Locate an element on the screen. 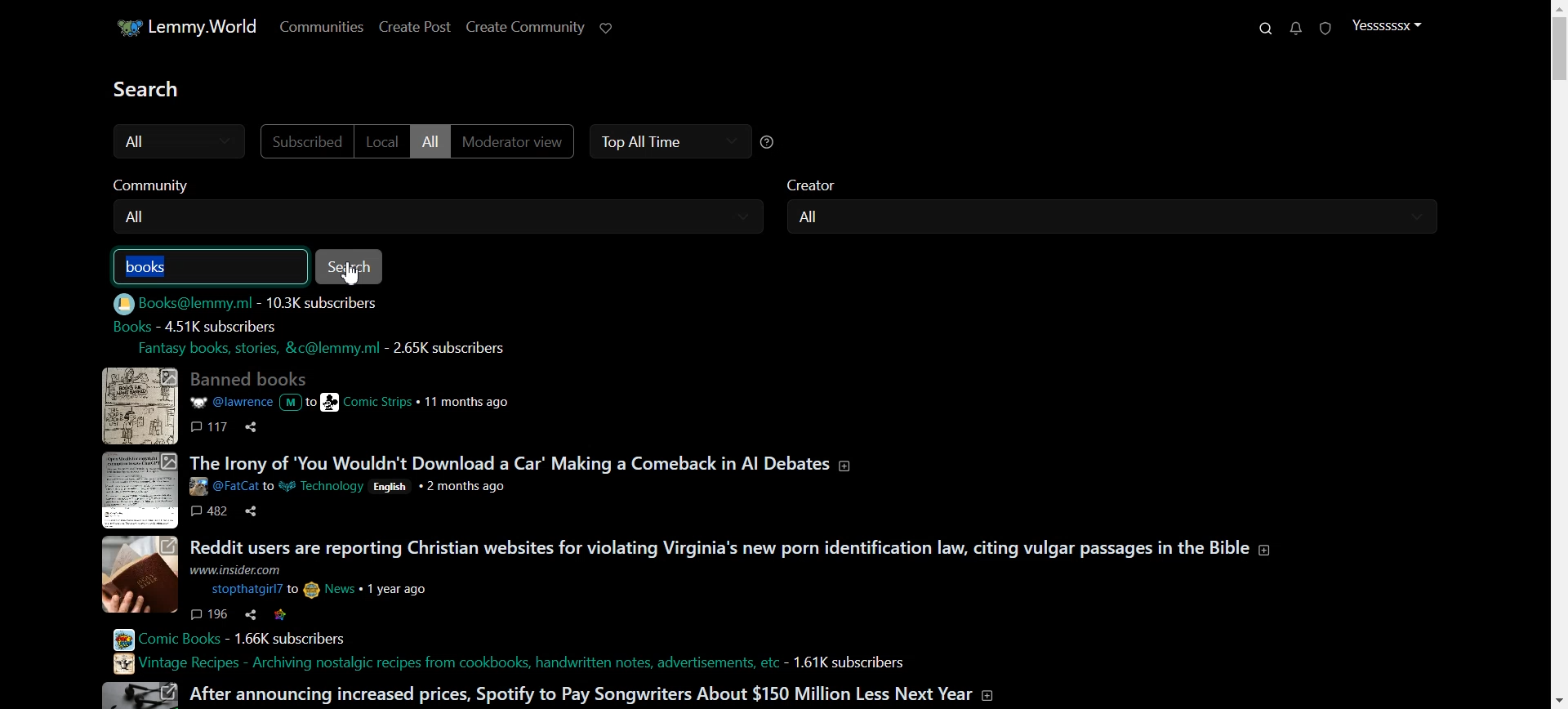 This screenshot has height=709, width=1568. Text is located at coordinates (152, 88).